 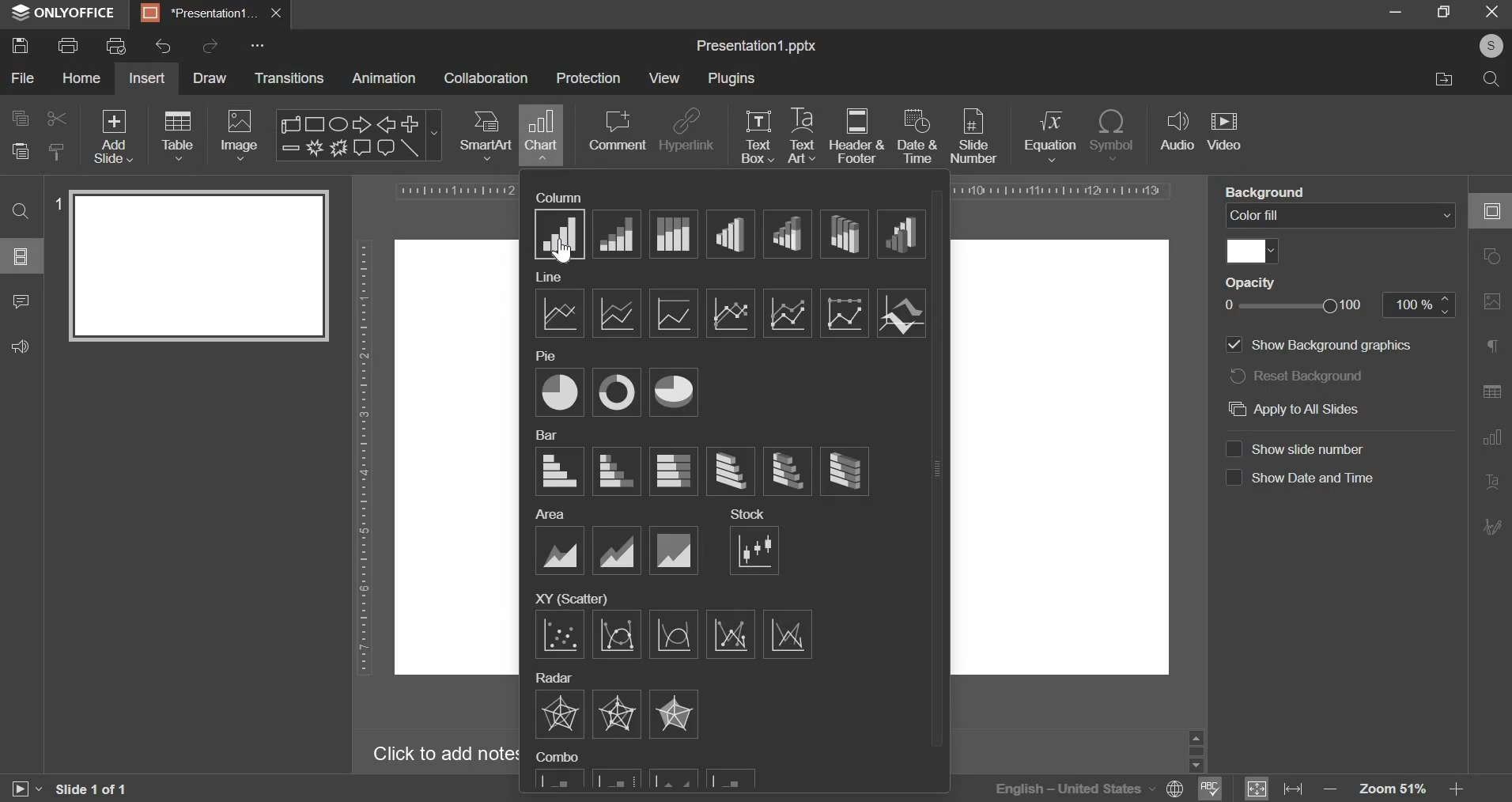 I want to click on more, so click(x=263, y=48).